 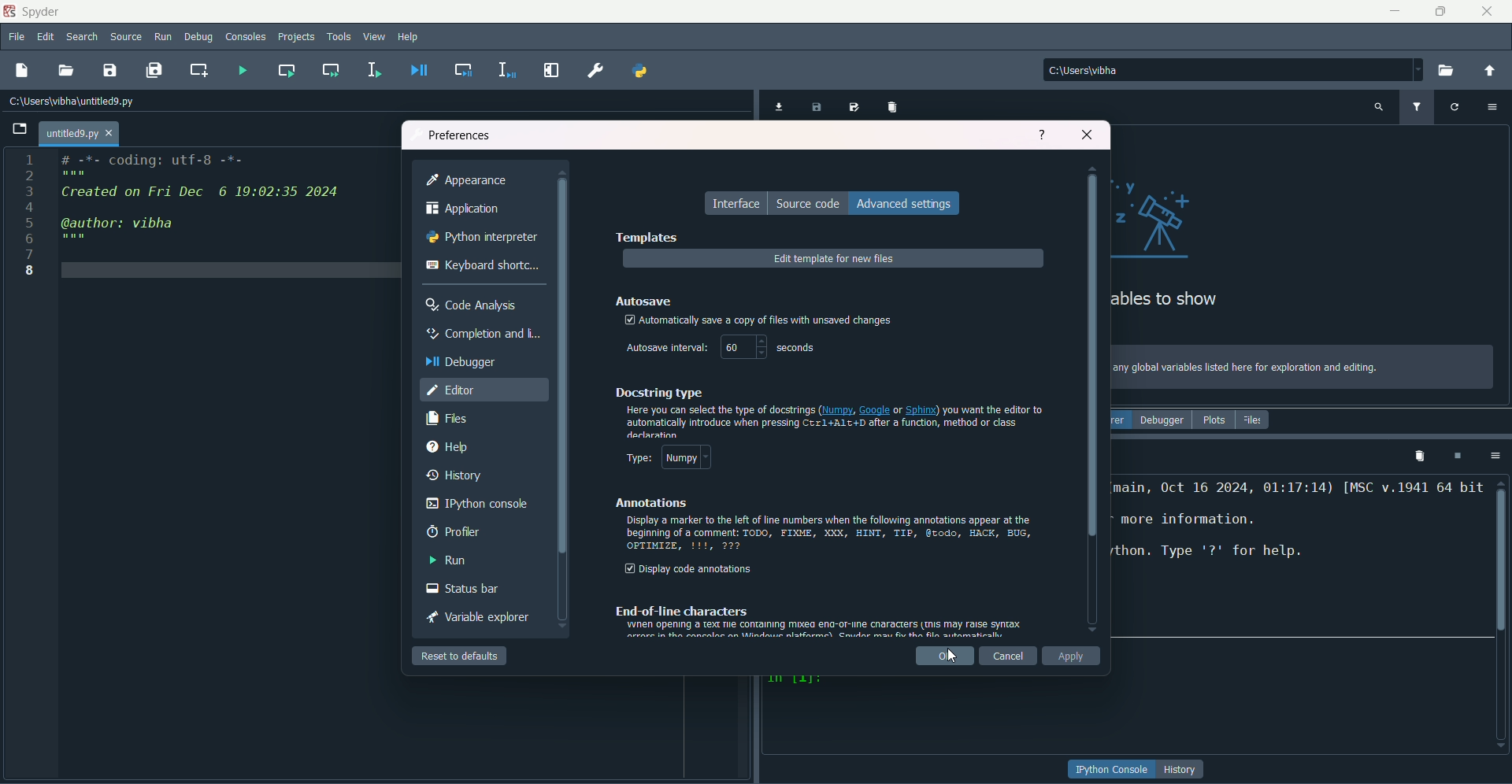 What do you see at coordinates (1212, 420) in the screenshot?
I see `plots` at bounding box center [1212, 420].